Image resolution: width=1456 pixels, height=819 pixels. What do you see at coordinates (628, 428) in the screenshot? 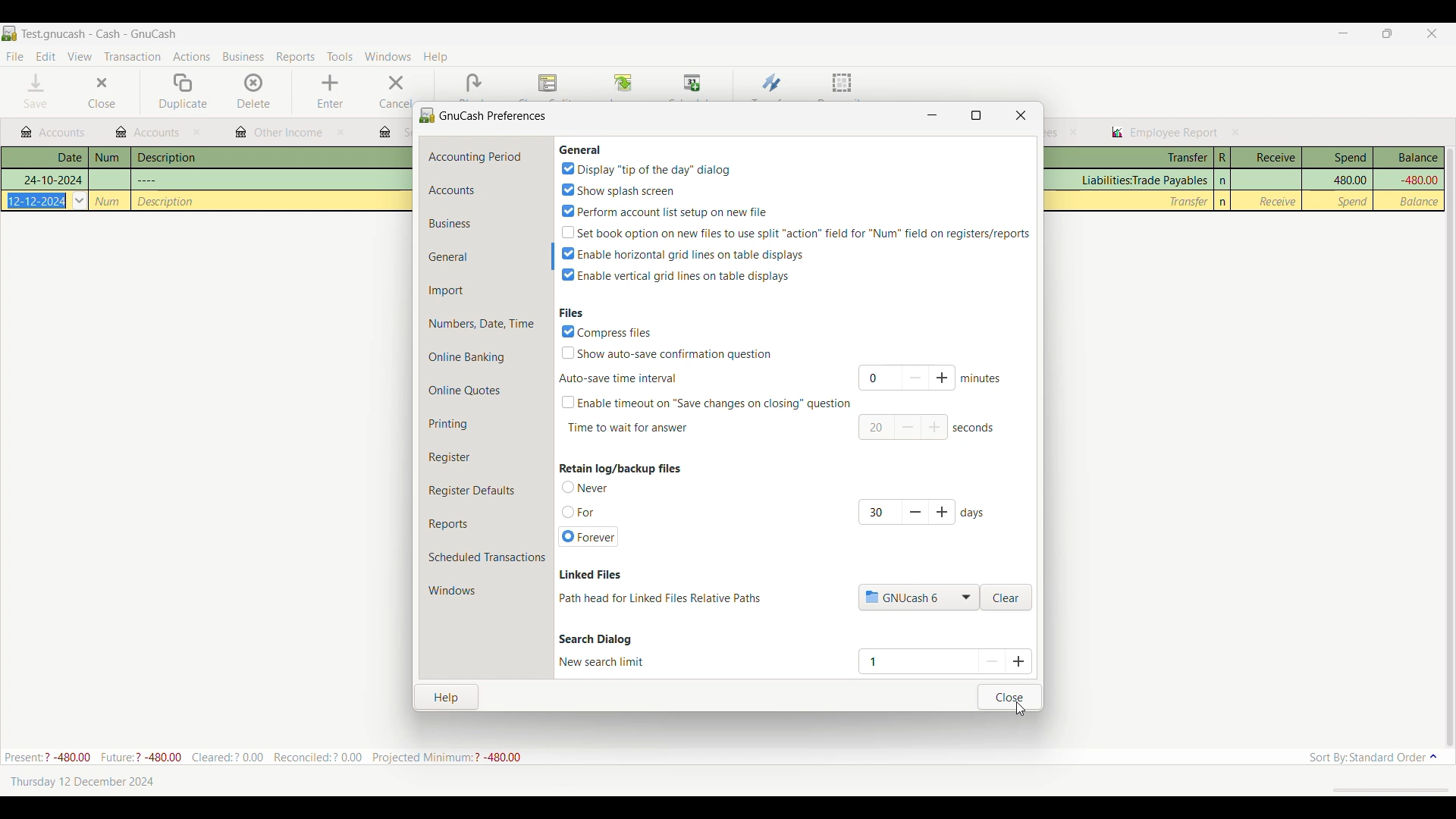
I see `` at bounding box center [628, 428].